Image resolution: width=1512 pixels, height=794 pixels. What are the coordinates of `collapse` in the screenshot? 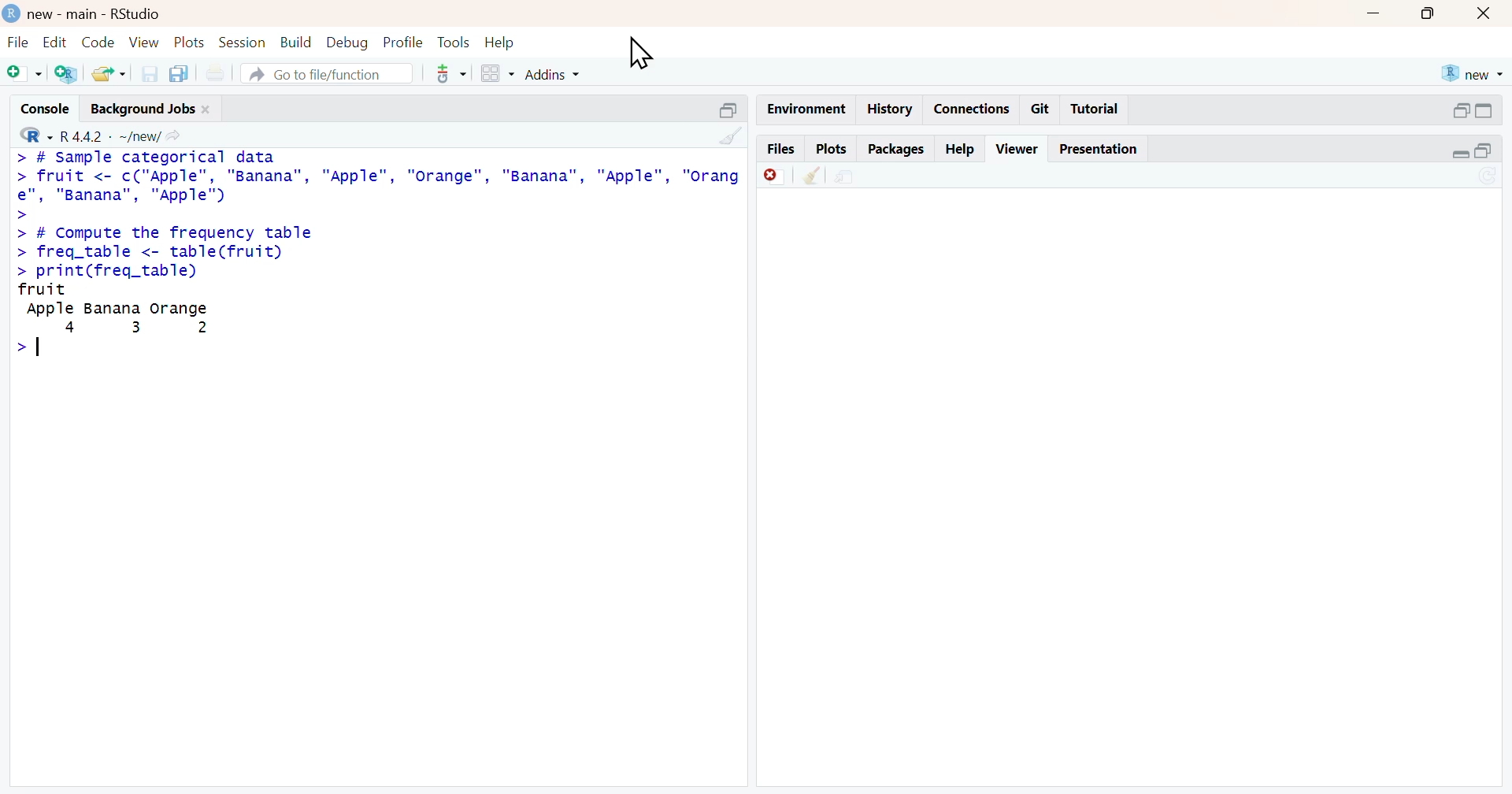 It's located at (1490, 151).